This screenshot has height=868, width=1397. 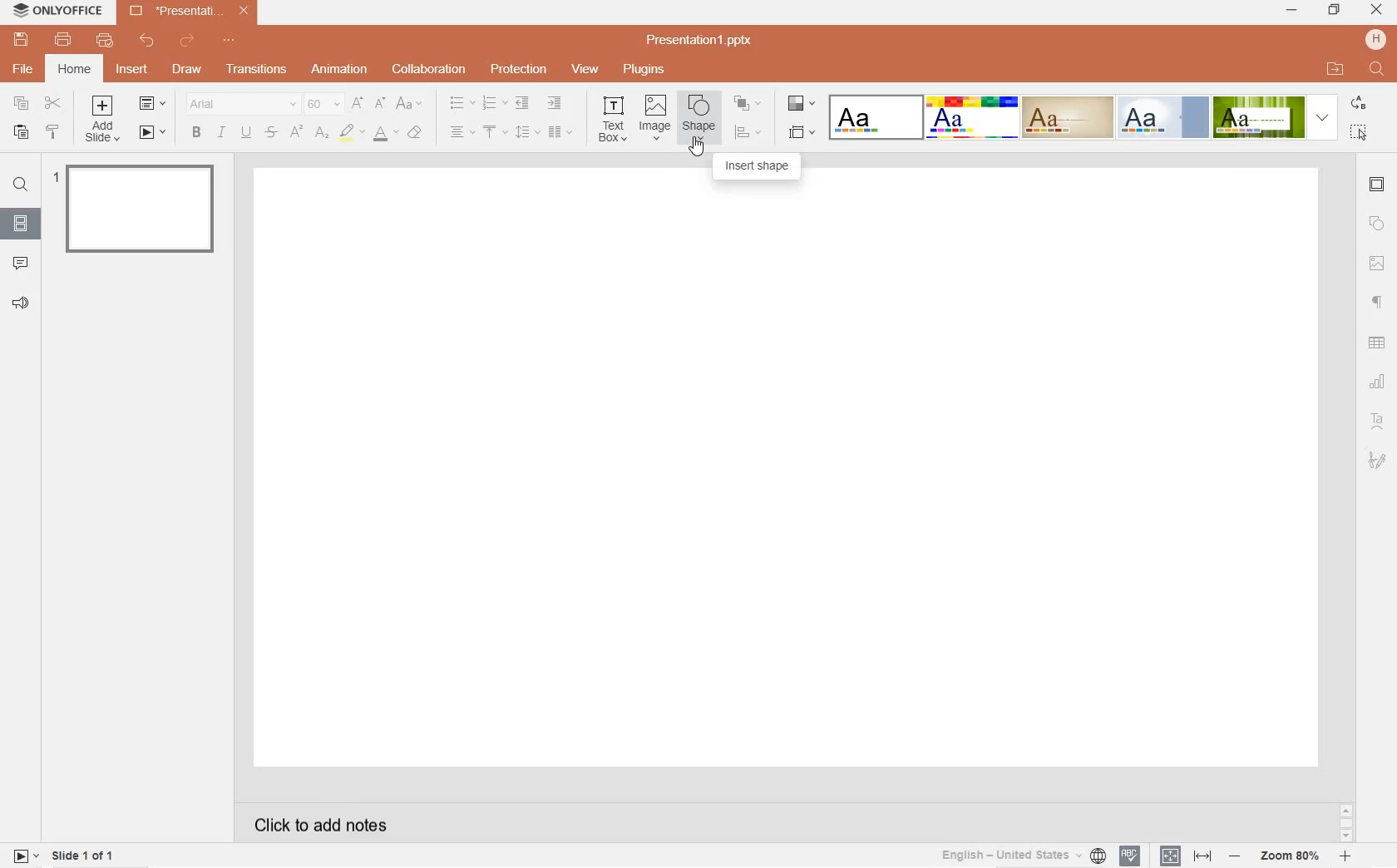 What do you see at coordinates (195, 132) in the screenshot?
I see `bold` at bounding box center [195, 132].